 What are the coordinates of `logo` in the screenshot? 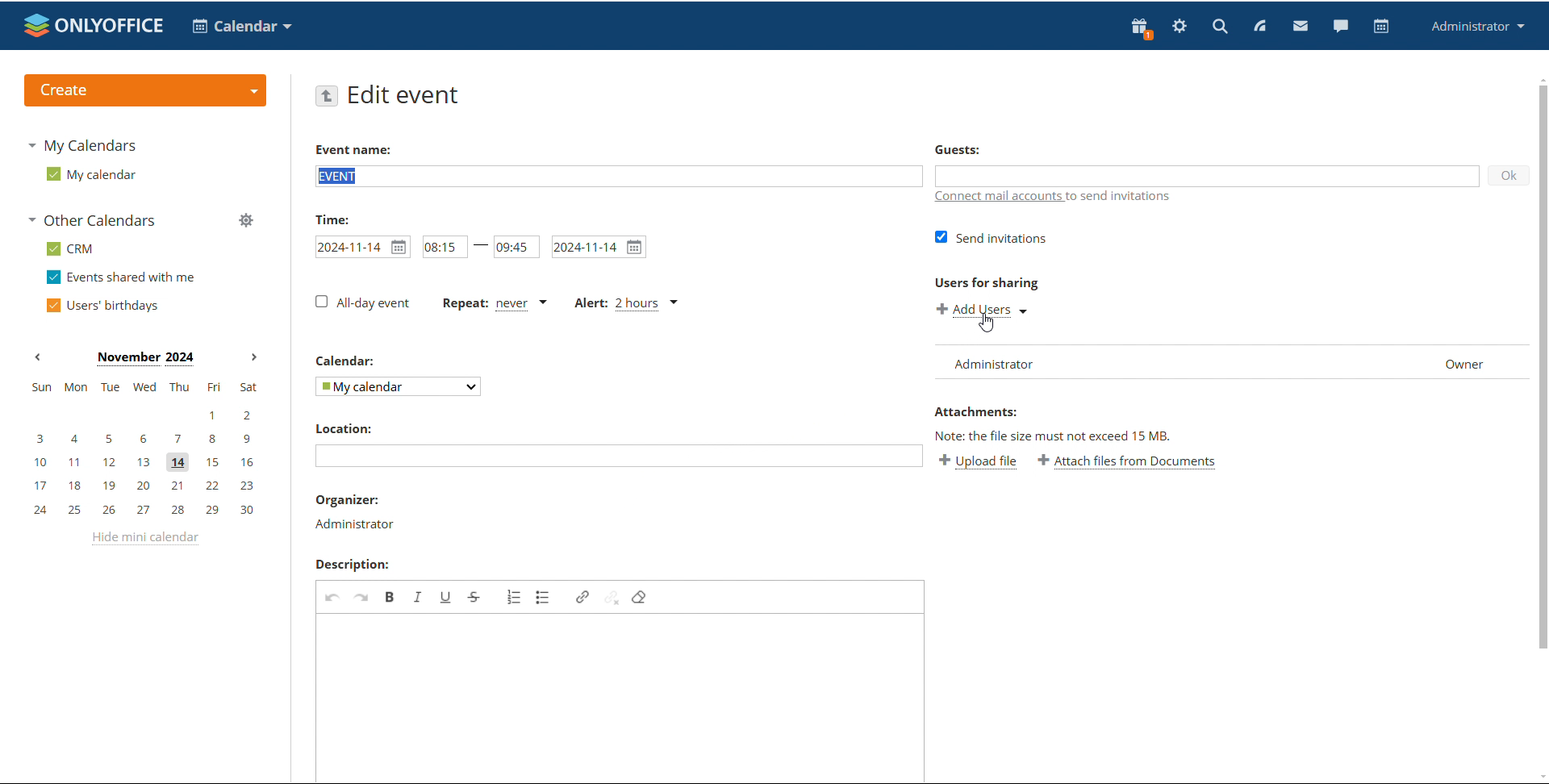 It's located at (94, 25).